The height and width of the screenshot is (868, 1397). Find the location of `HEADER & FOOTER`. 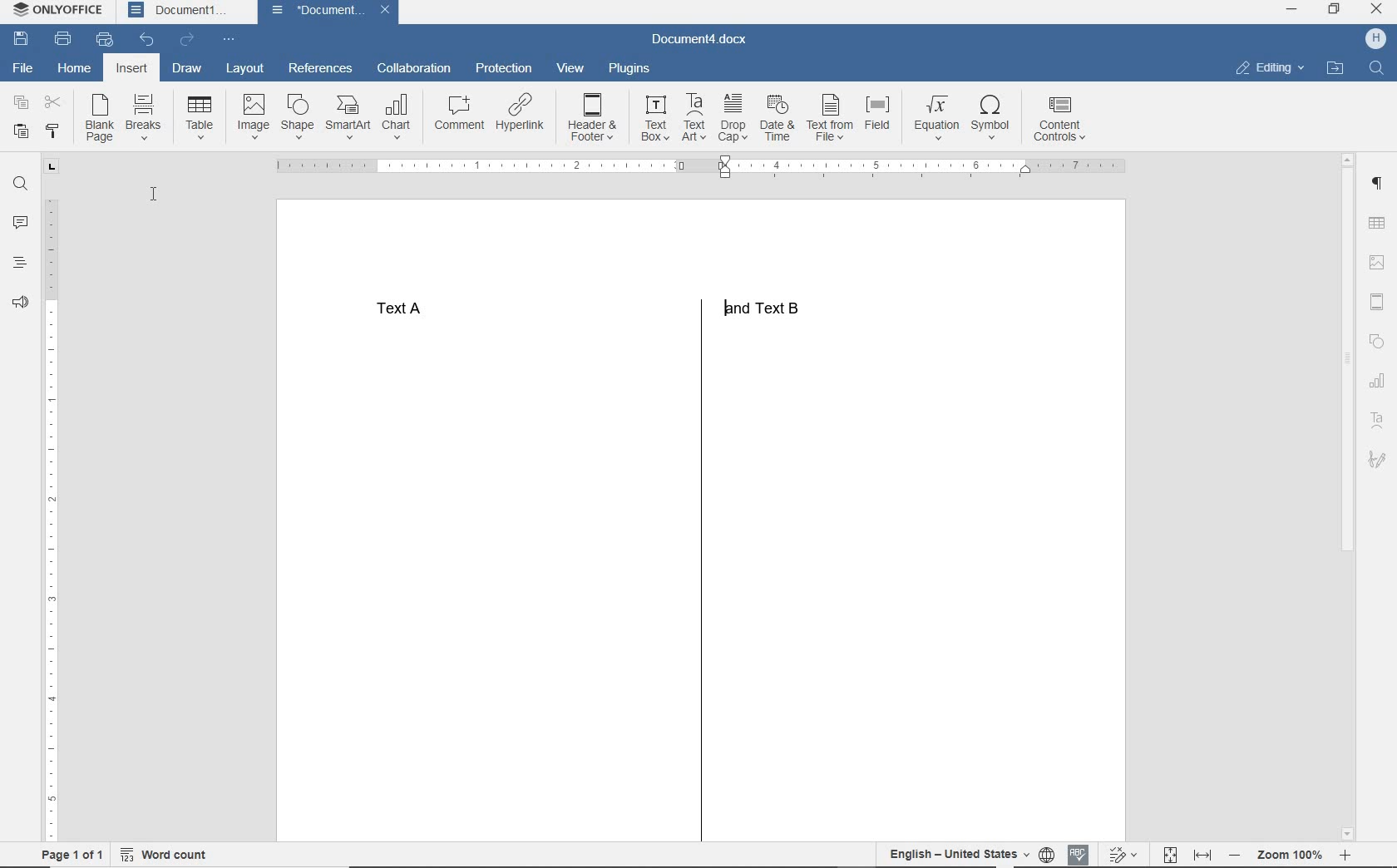

HEADER & FOOTER is located at coordinates (1377, 302).